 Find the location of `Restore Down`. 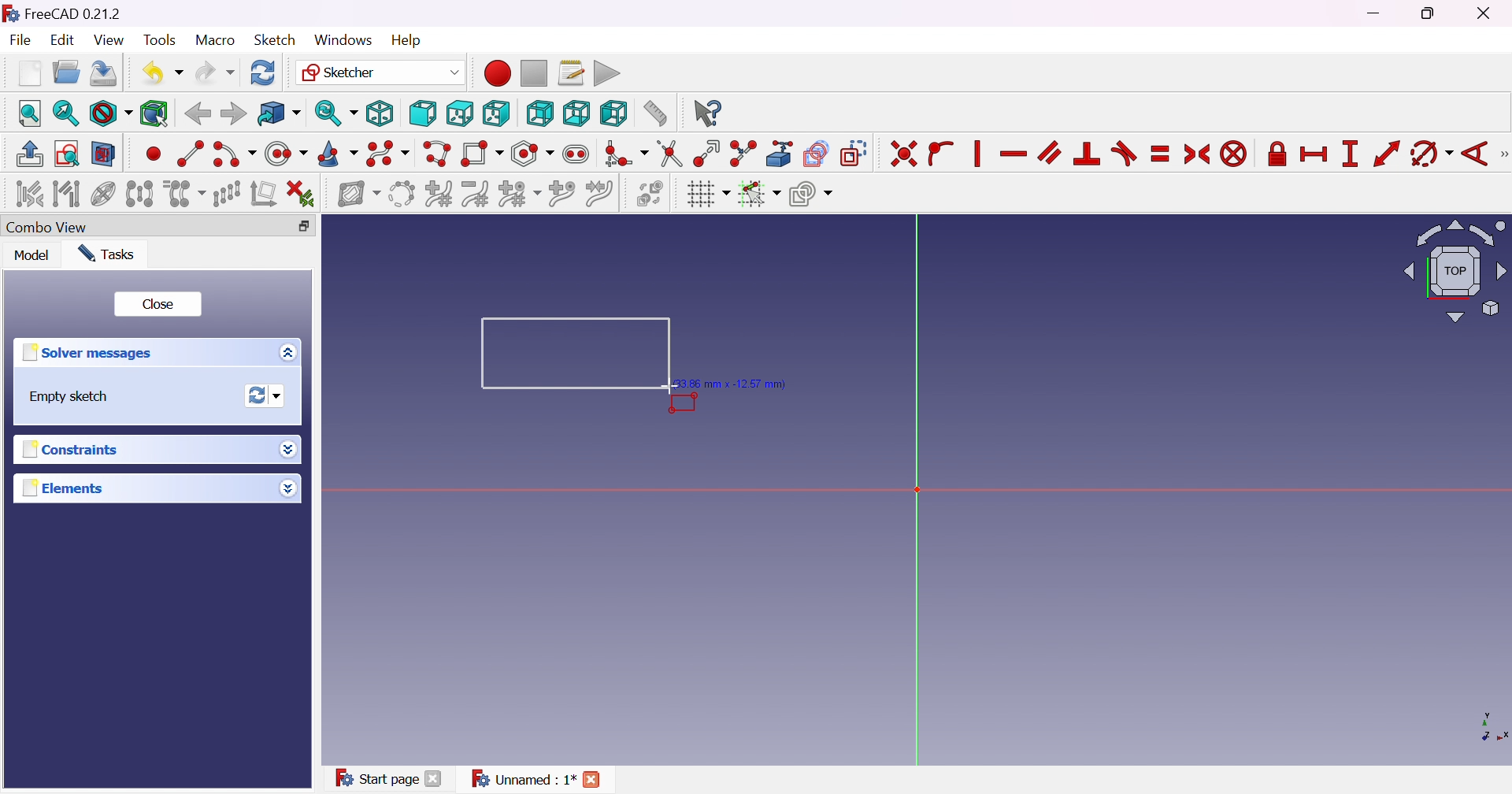

Restore Down is located at coordinates (1430, 15).